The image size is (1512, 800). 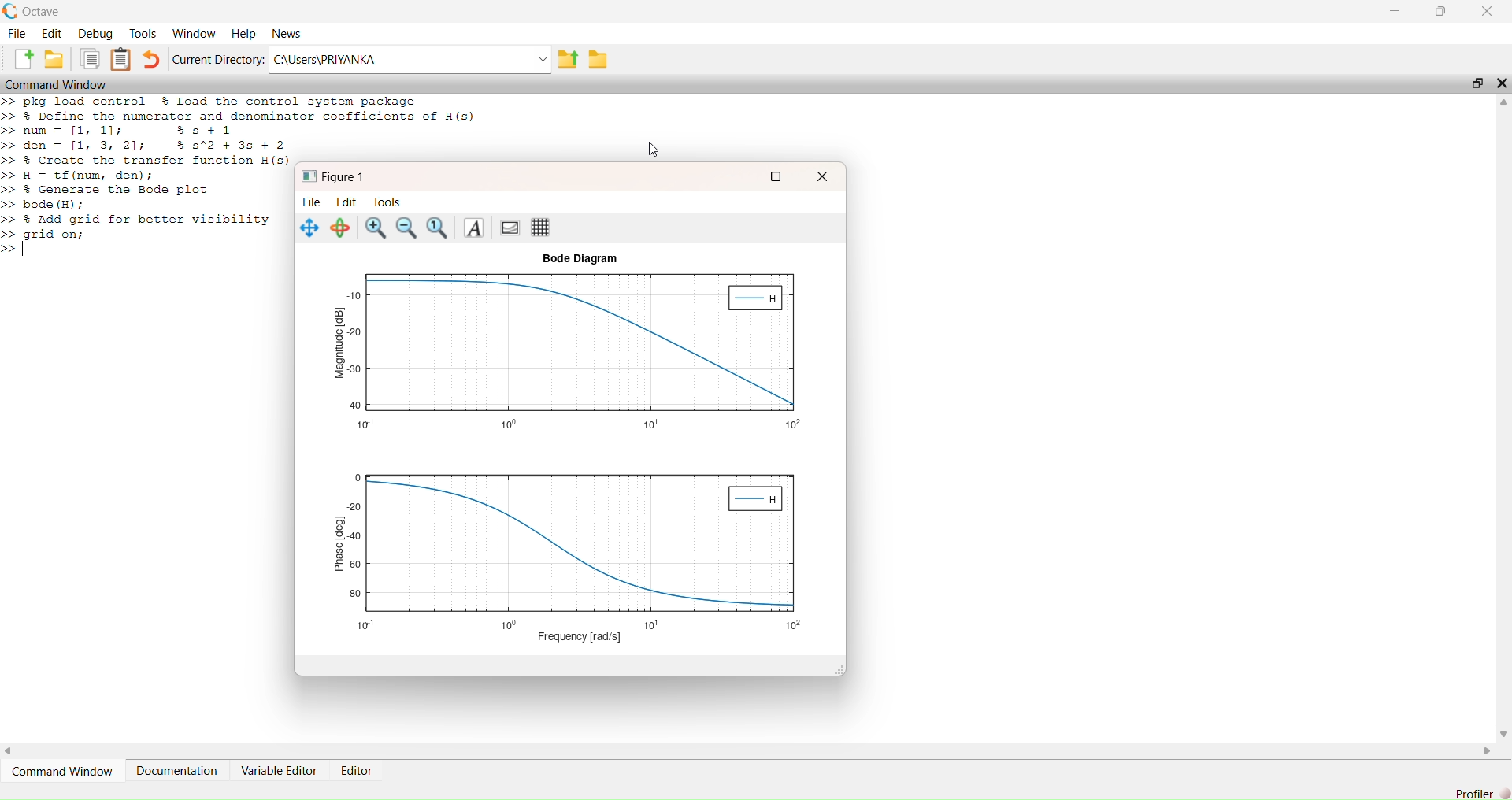 What do you see at coordinates (407, 228) in the screenshot?
I see `Zoom out` at bounding box center [407, 228].